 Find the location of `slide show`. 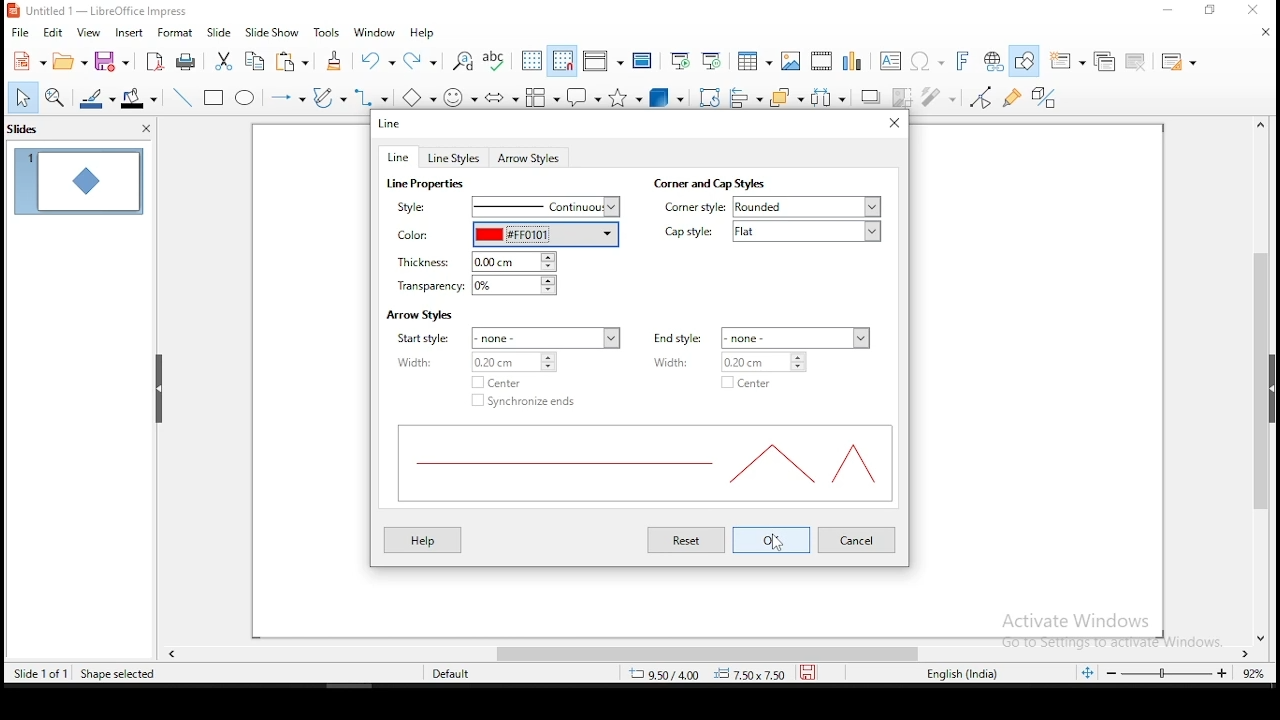

slide show is located at coordinates (271, 31).